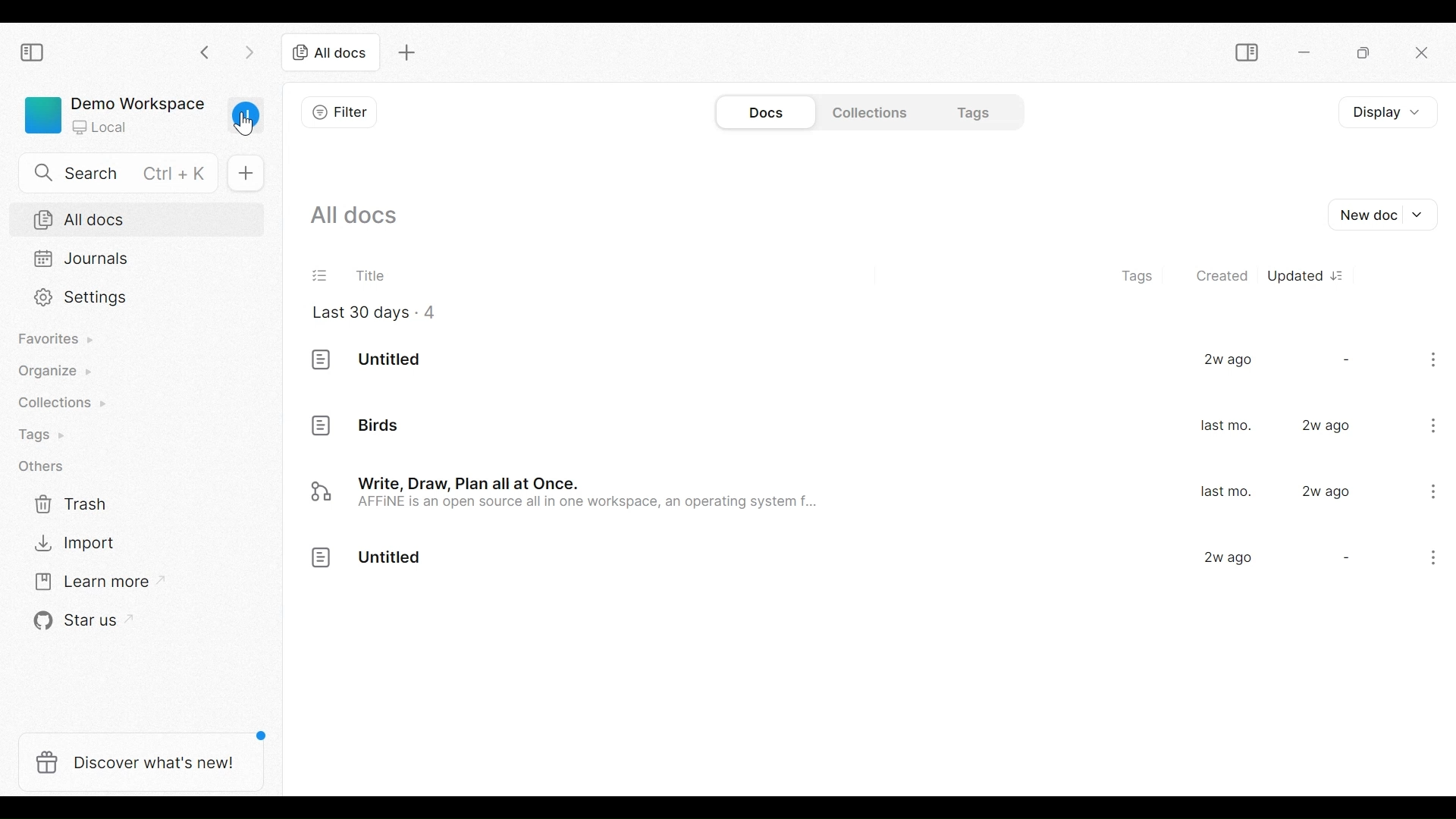  What do you see at coordinates (206, 52) in the screenshot?
I see `Go back` at bounding box center [206, 52].